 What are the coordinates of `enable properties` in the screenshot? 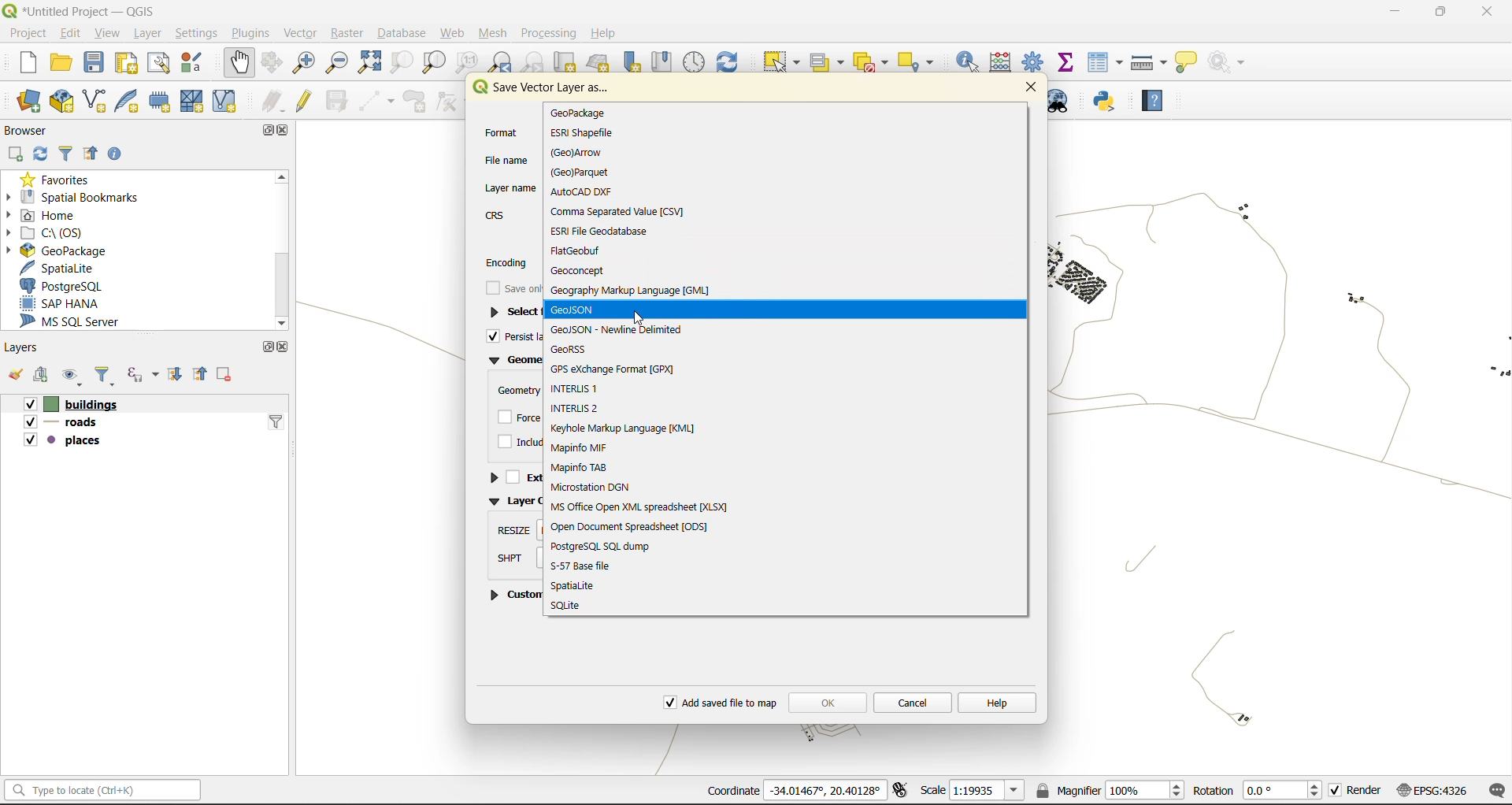 It's located at (119, 152).